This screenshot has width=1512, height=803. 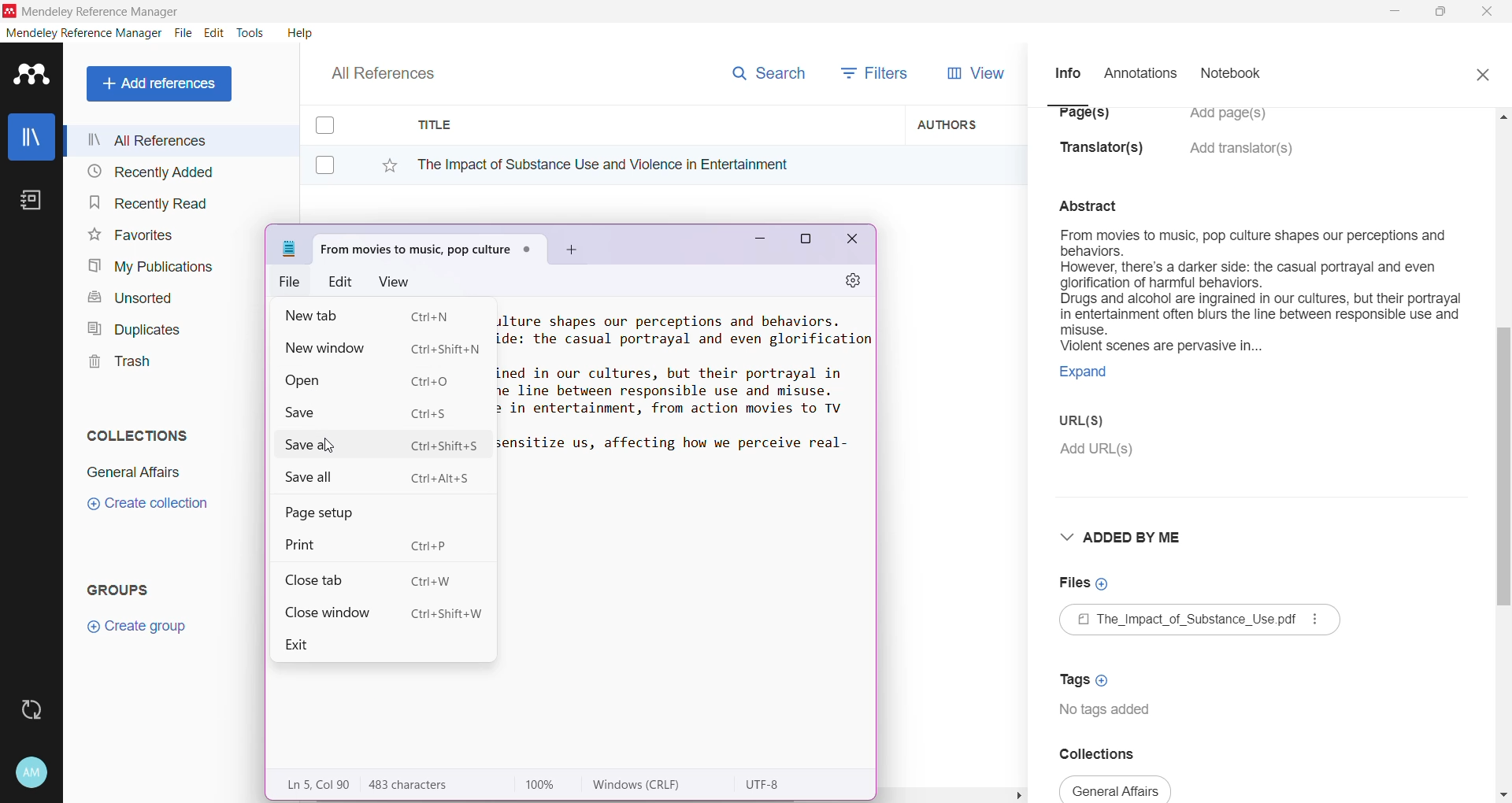 I want to click on Vertical Scroll Bar, so click(x=1503, y=453).